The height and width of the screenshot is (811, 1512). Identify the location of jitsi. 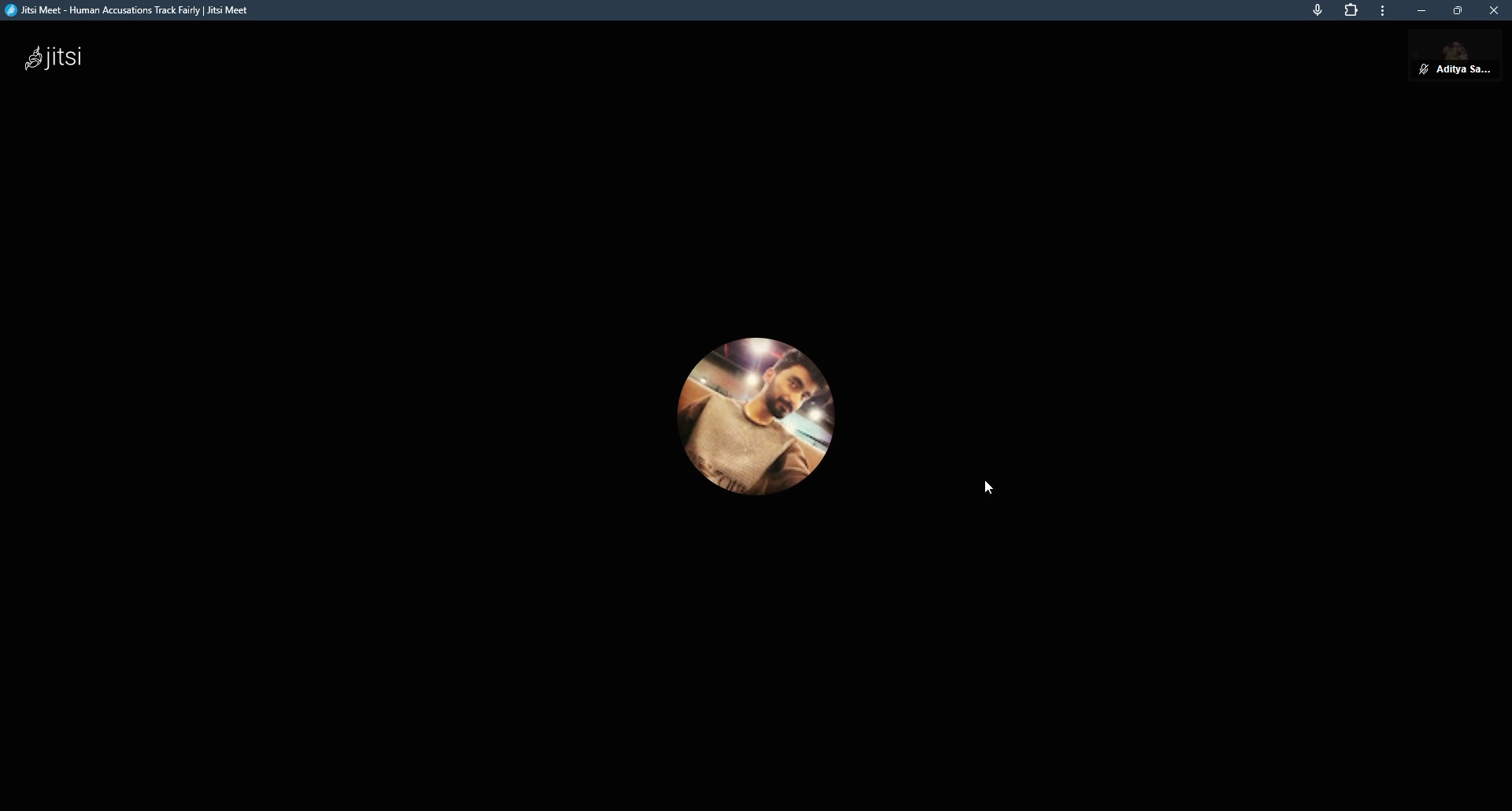
(54, 61).